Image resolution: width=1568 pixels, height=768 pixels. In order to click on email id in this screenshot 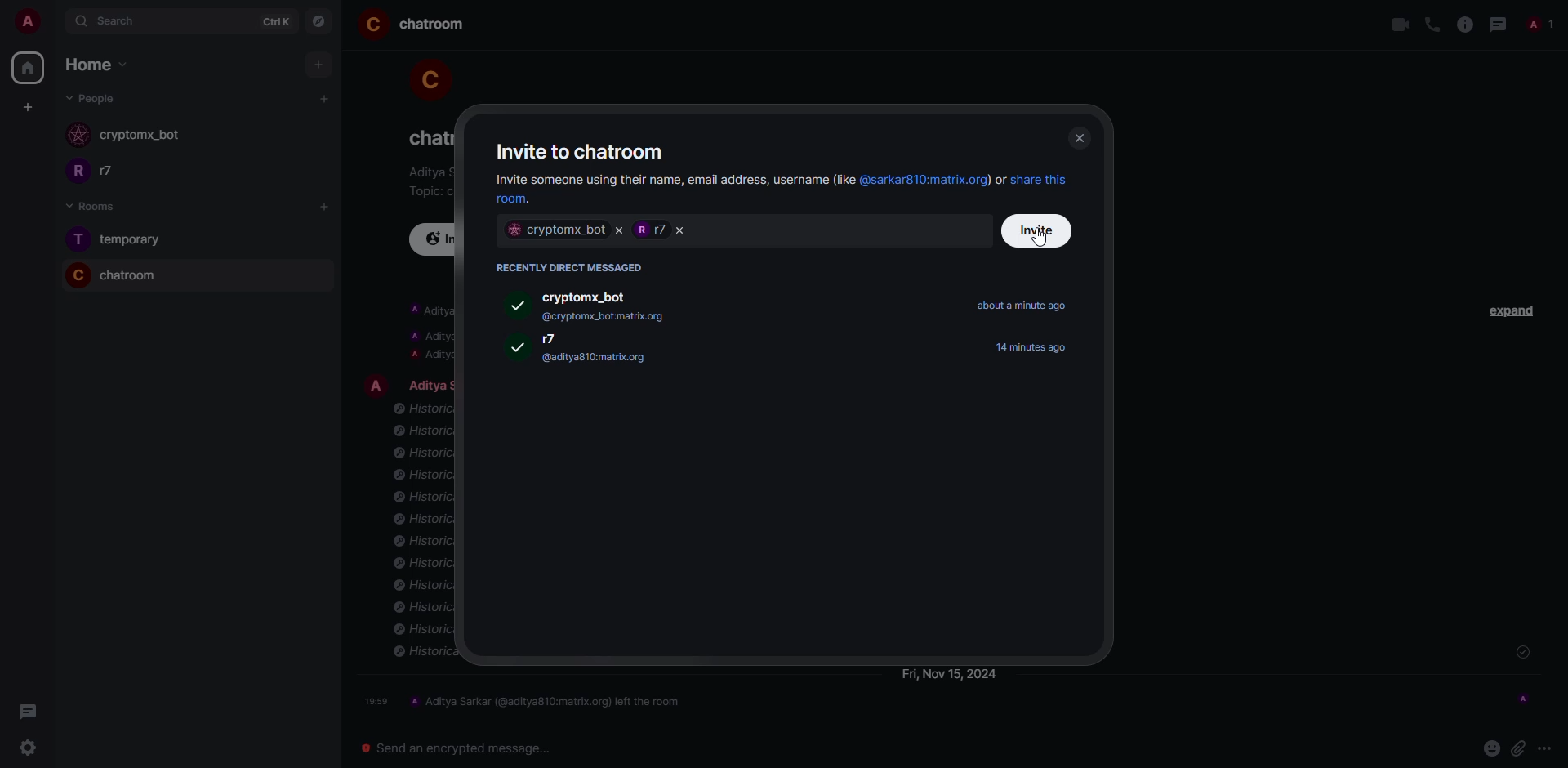, I will do `click(596, 359)`.